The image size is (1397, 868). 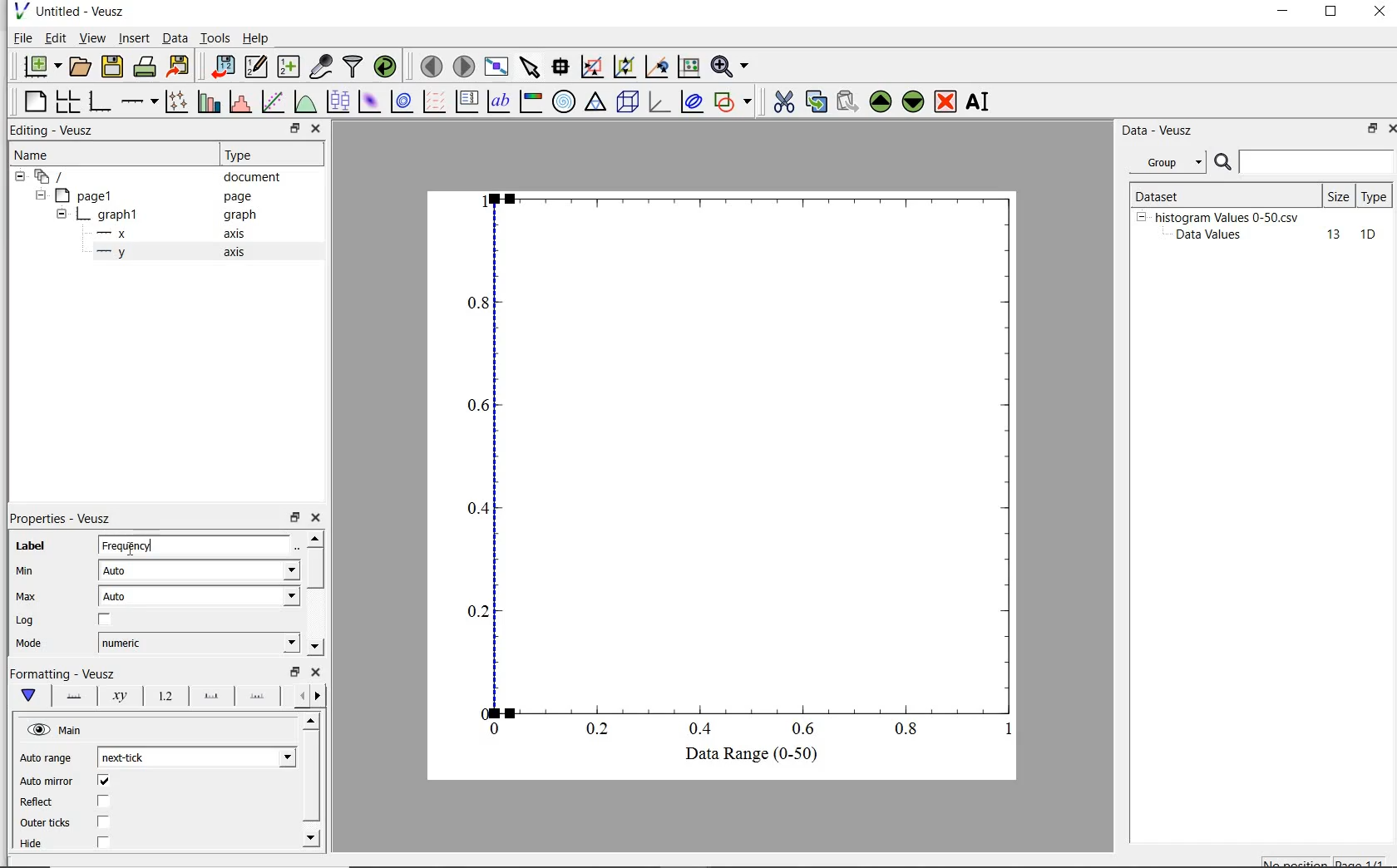 I want to click on vertical scrollbar, so click(x=310, y=777).